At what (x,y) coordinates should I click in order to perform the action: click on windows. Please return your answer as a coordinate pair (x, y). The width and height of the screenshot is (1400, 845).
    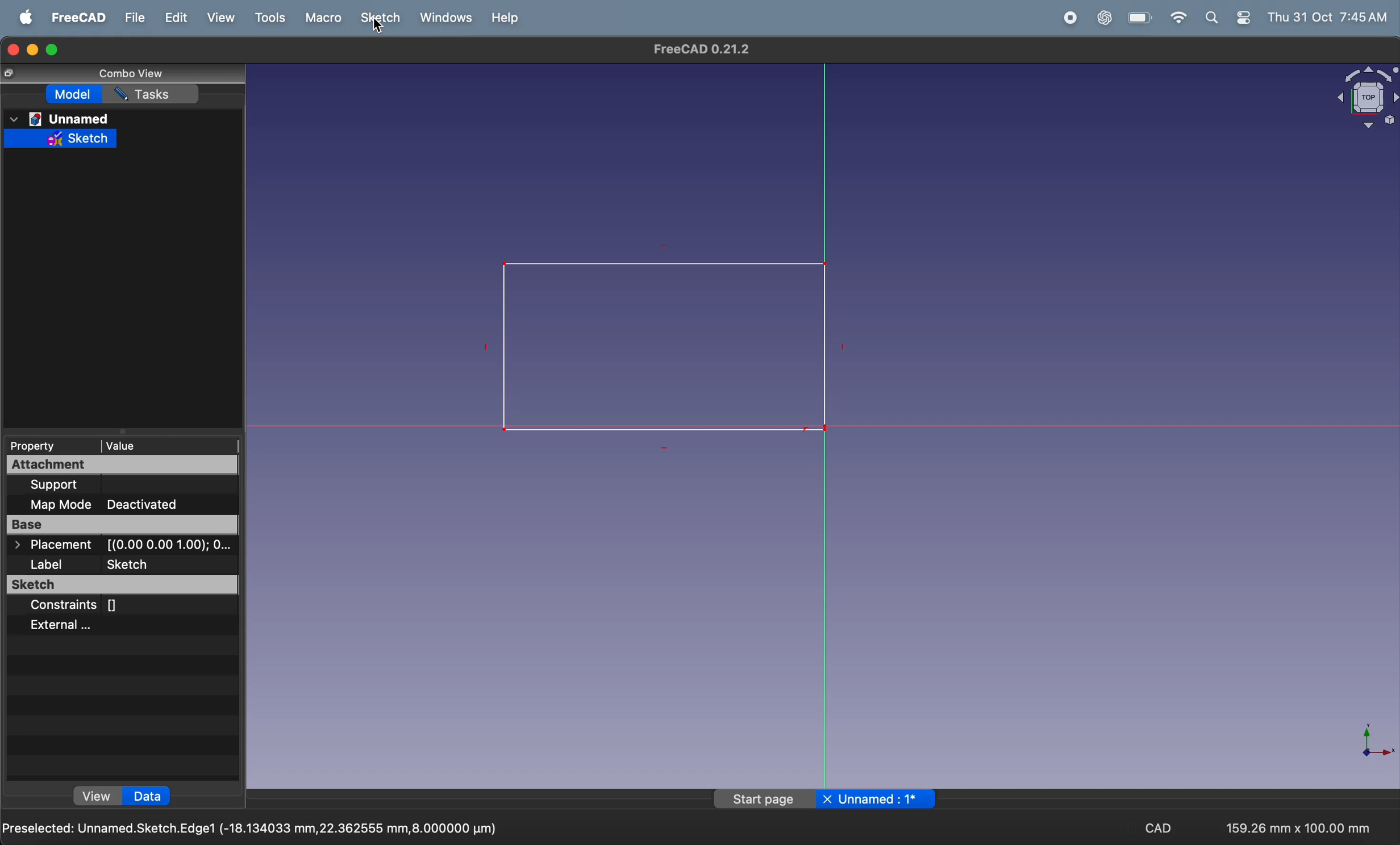
    Looking at the image, I should click on (444, 18).